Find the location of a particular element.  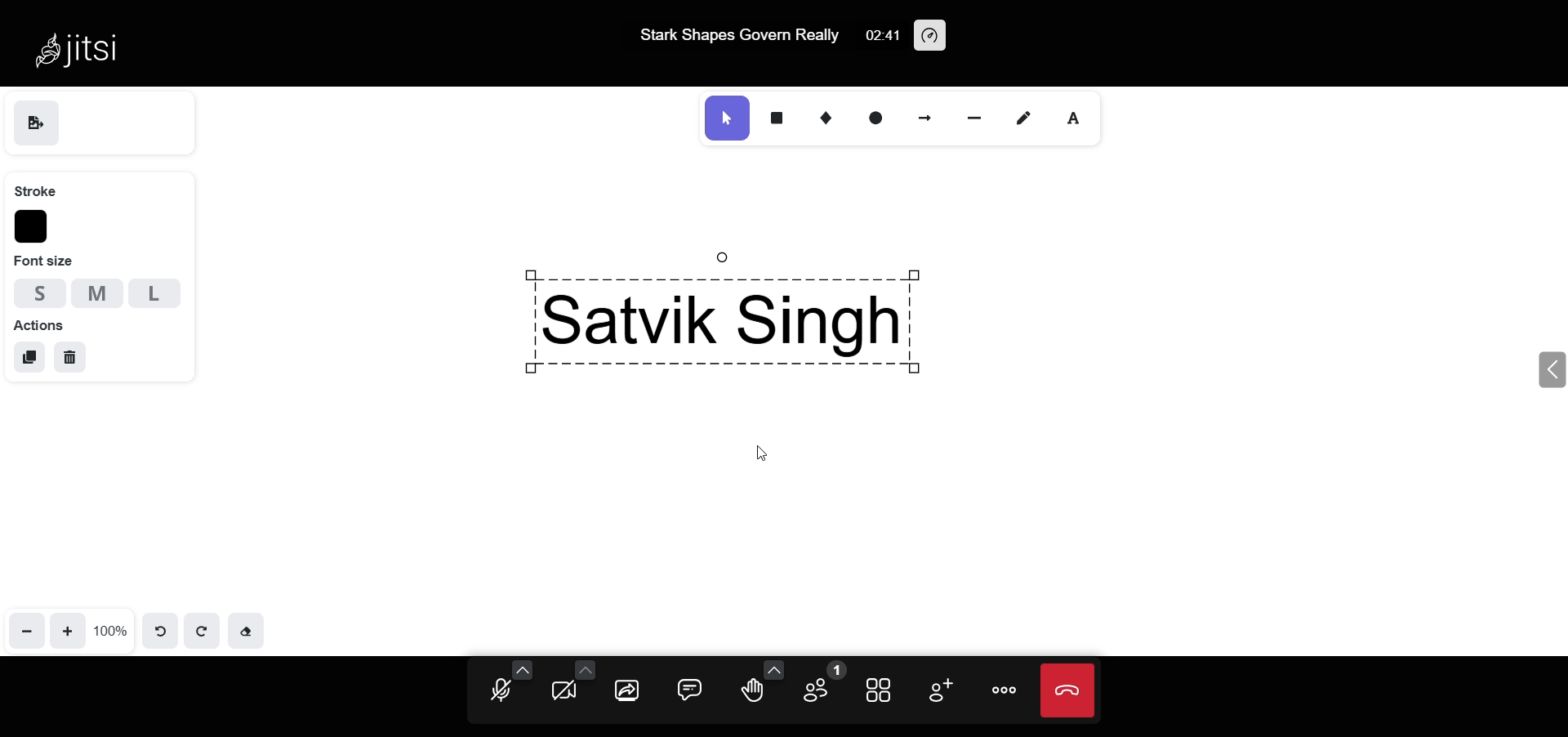

medium is located at coordinates (97, 293).